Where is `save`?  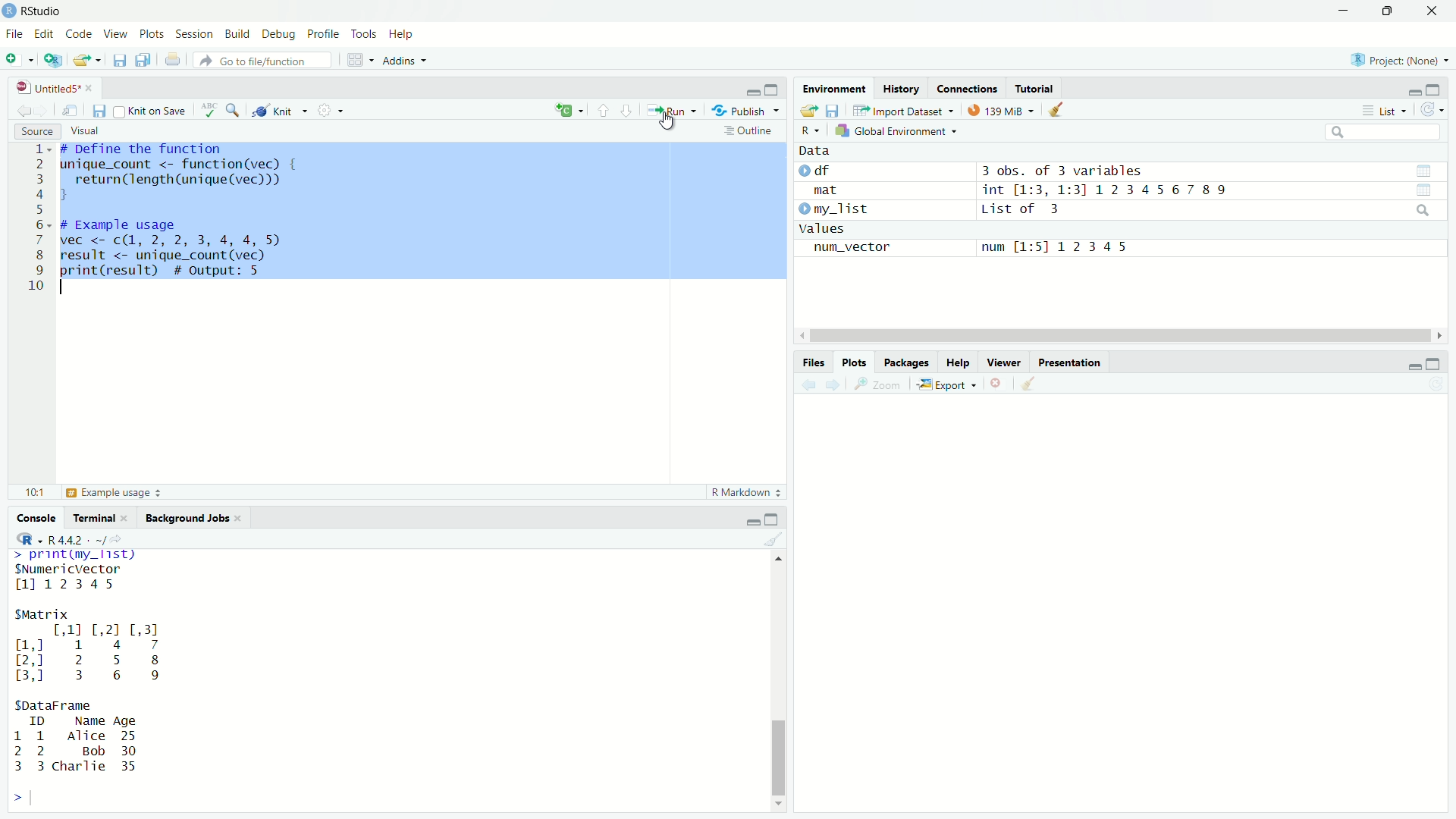 save is located at coordinates (99, 111).